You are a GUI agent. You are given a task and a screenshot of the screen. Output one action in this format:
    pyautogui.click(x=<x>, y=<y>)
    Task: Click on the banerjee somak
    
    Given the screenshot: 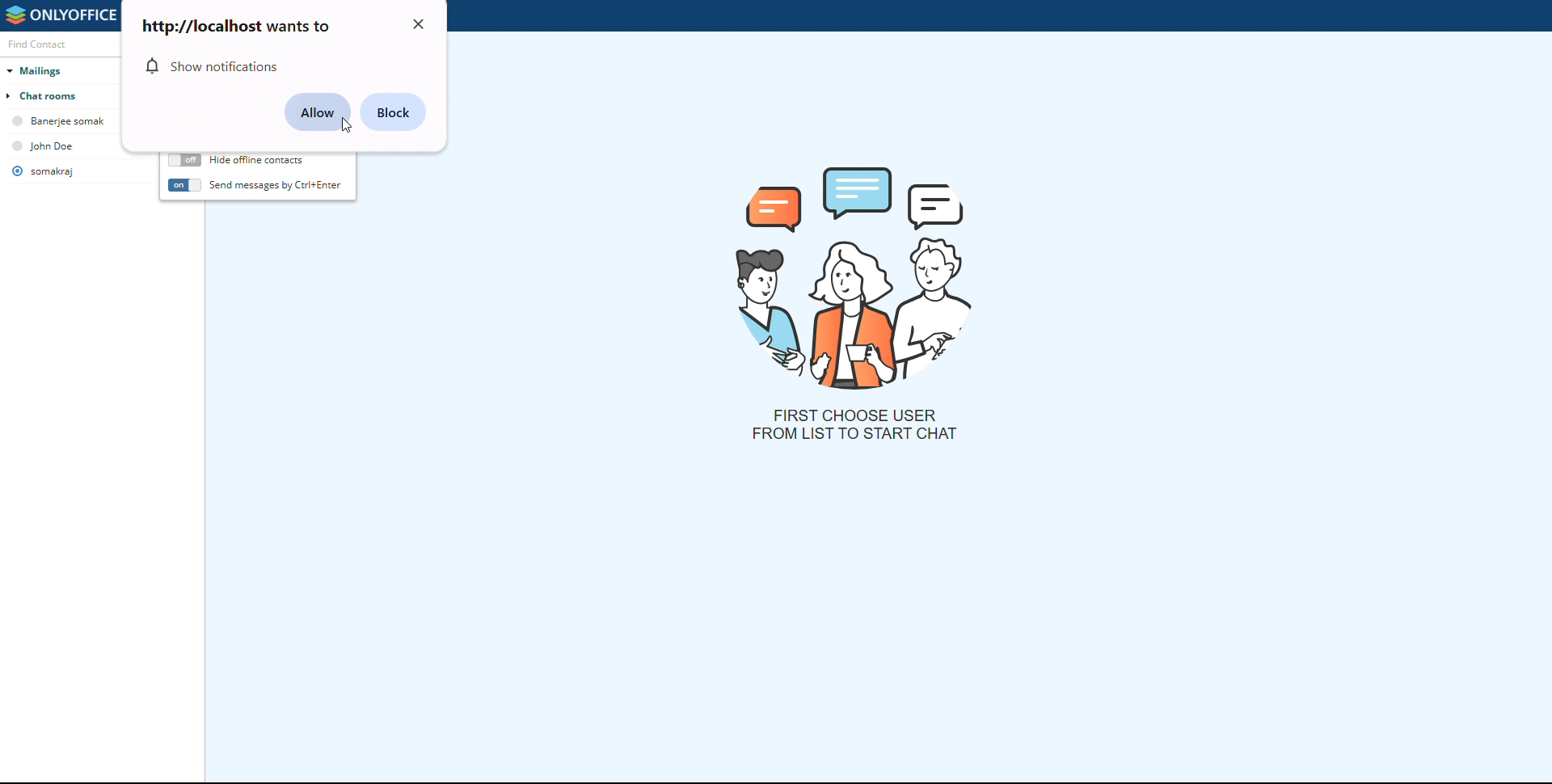 What is the action you would take?
    pyautogui.click(x=62, y=121)
    